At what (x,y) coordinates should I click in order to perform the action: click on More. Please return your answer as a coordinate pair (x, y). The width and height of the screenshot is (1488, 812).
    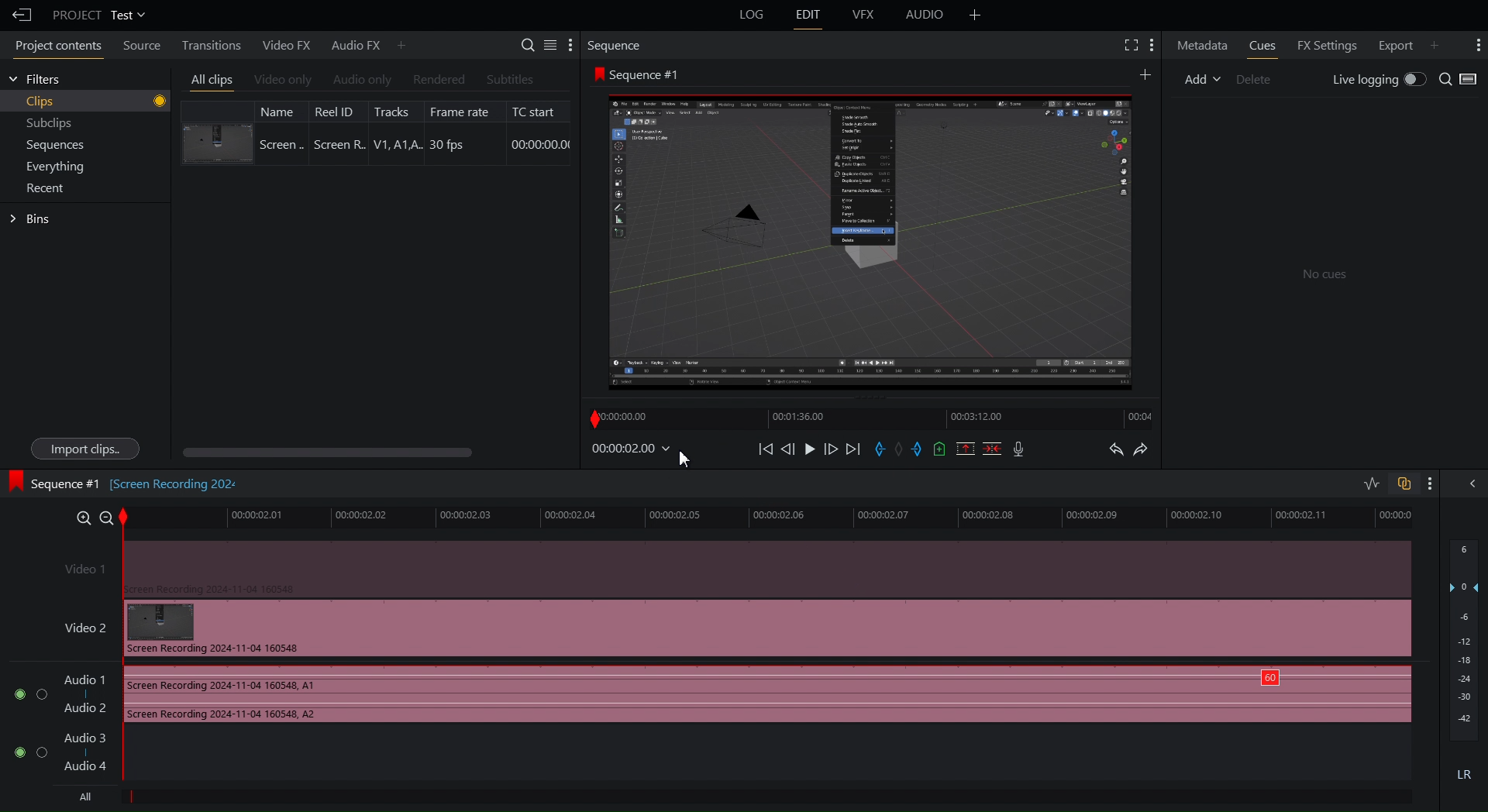
    Looking at the image, I should click on (1153, 45).